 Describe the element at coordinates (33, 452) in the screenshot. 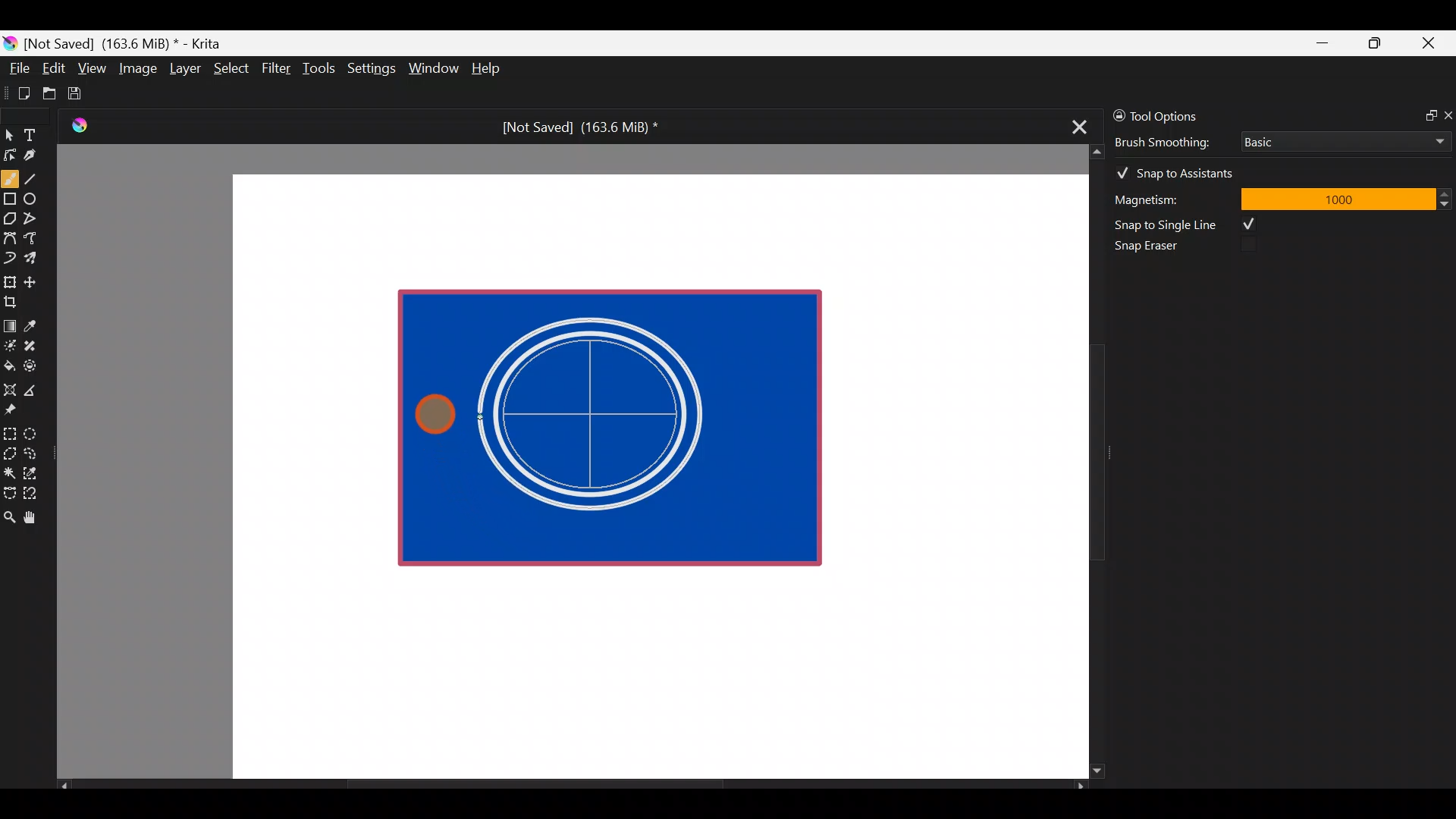

I see `Freehand selection tool` at that location.